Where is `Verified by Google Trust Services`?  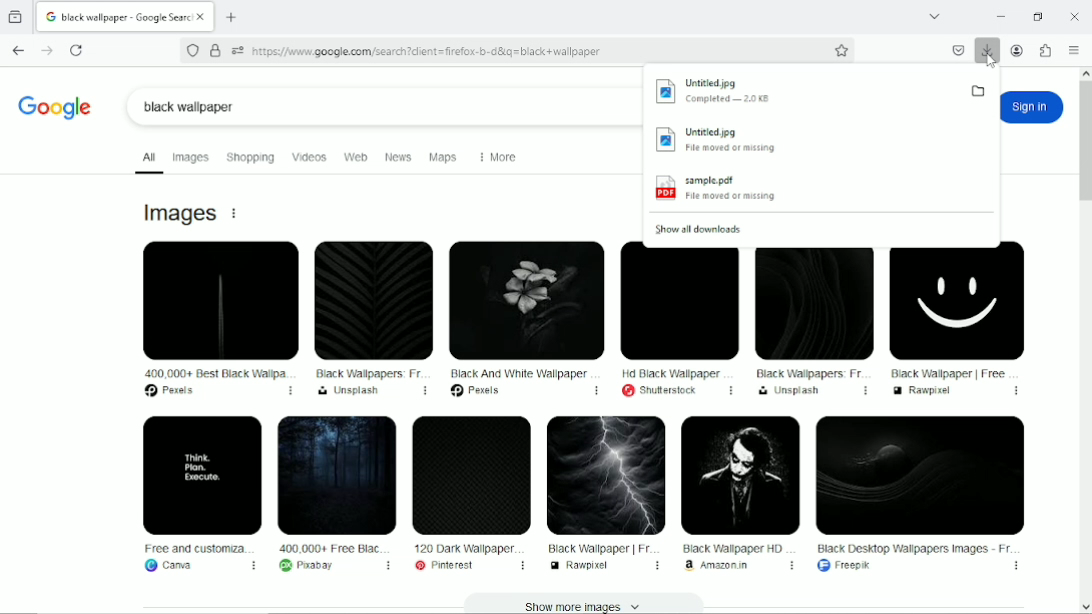 Verified by Google Trust Services is located at coordinates (215, 51).